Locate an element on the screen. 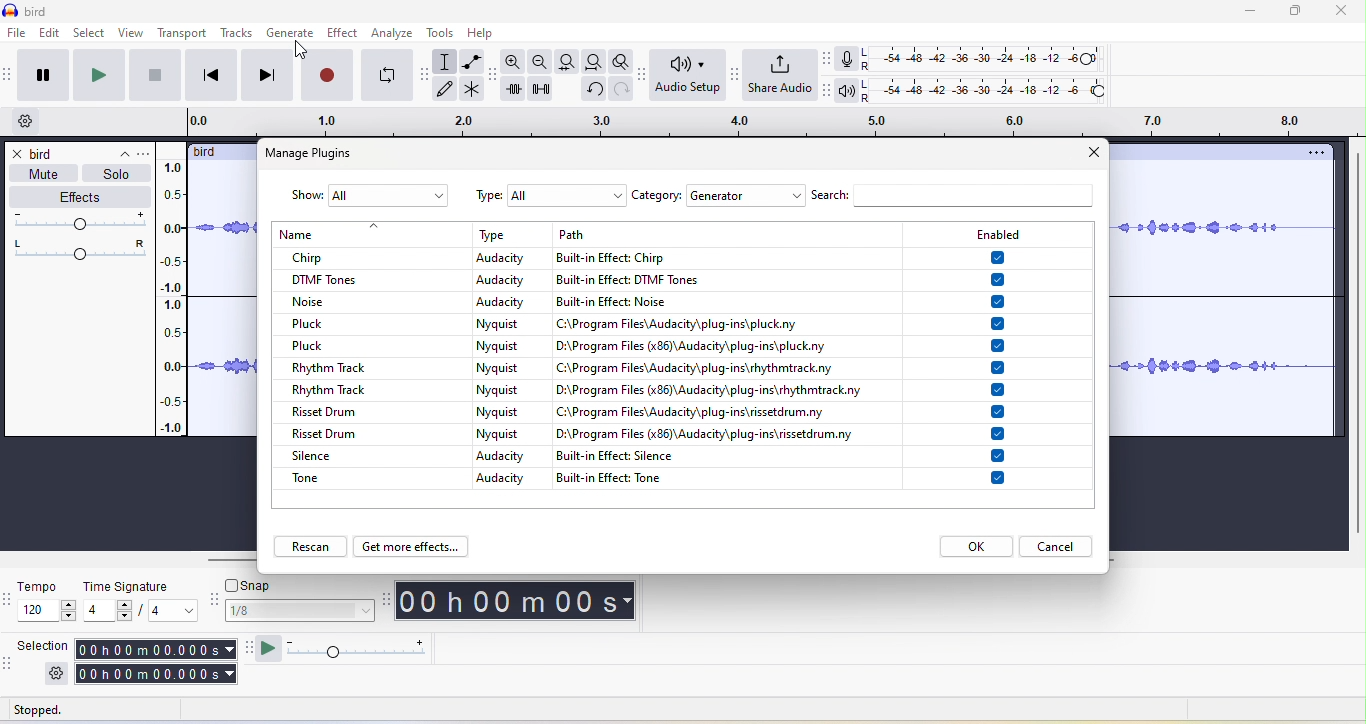 The height and width of the screenshot is (724, 1366). tempo is located at coordinates (48, 603).